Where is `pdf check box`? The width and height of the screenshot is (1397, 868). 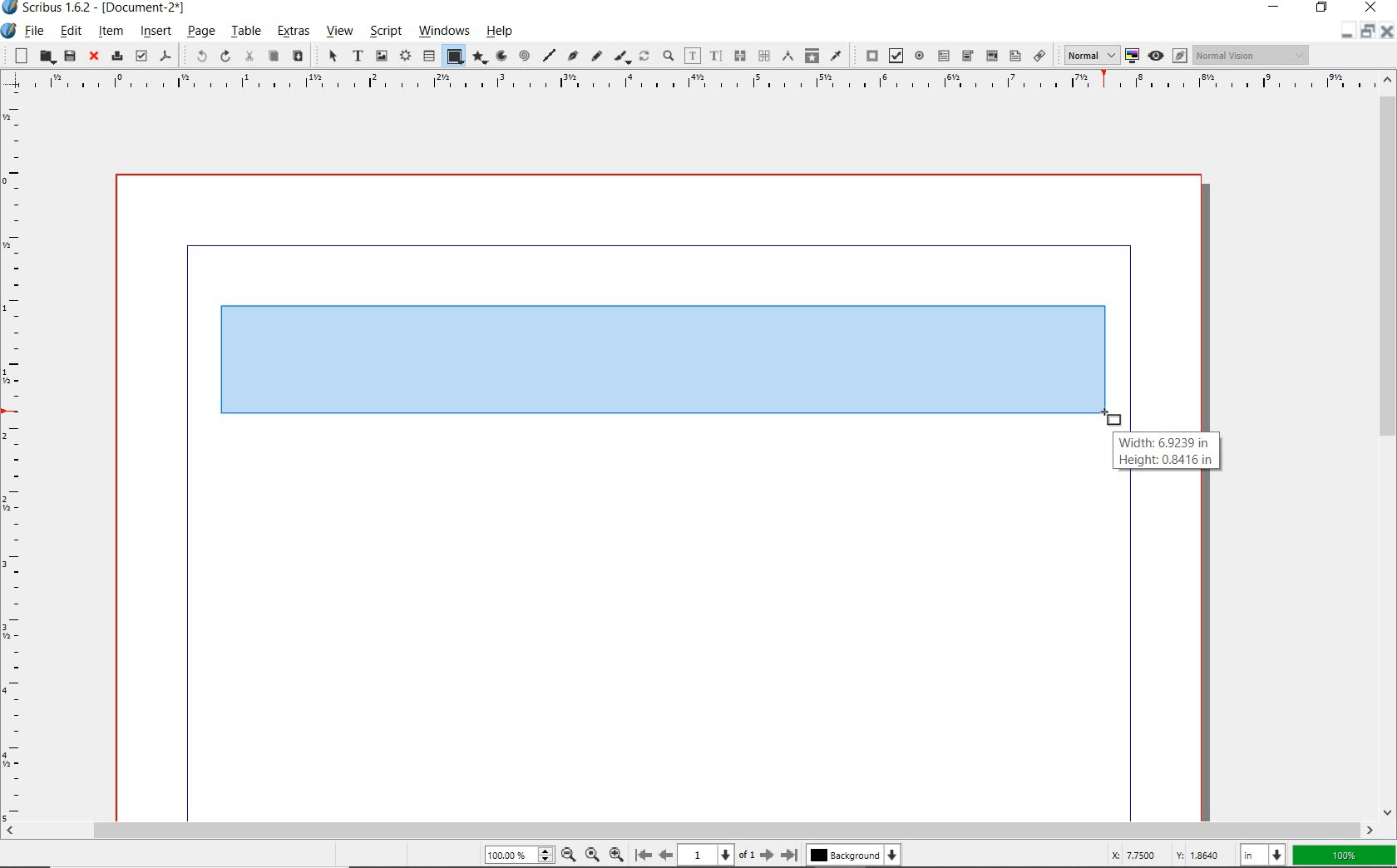 pdf check box is located at coordinates (893, 55).